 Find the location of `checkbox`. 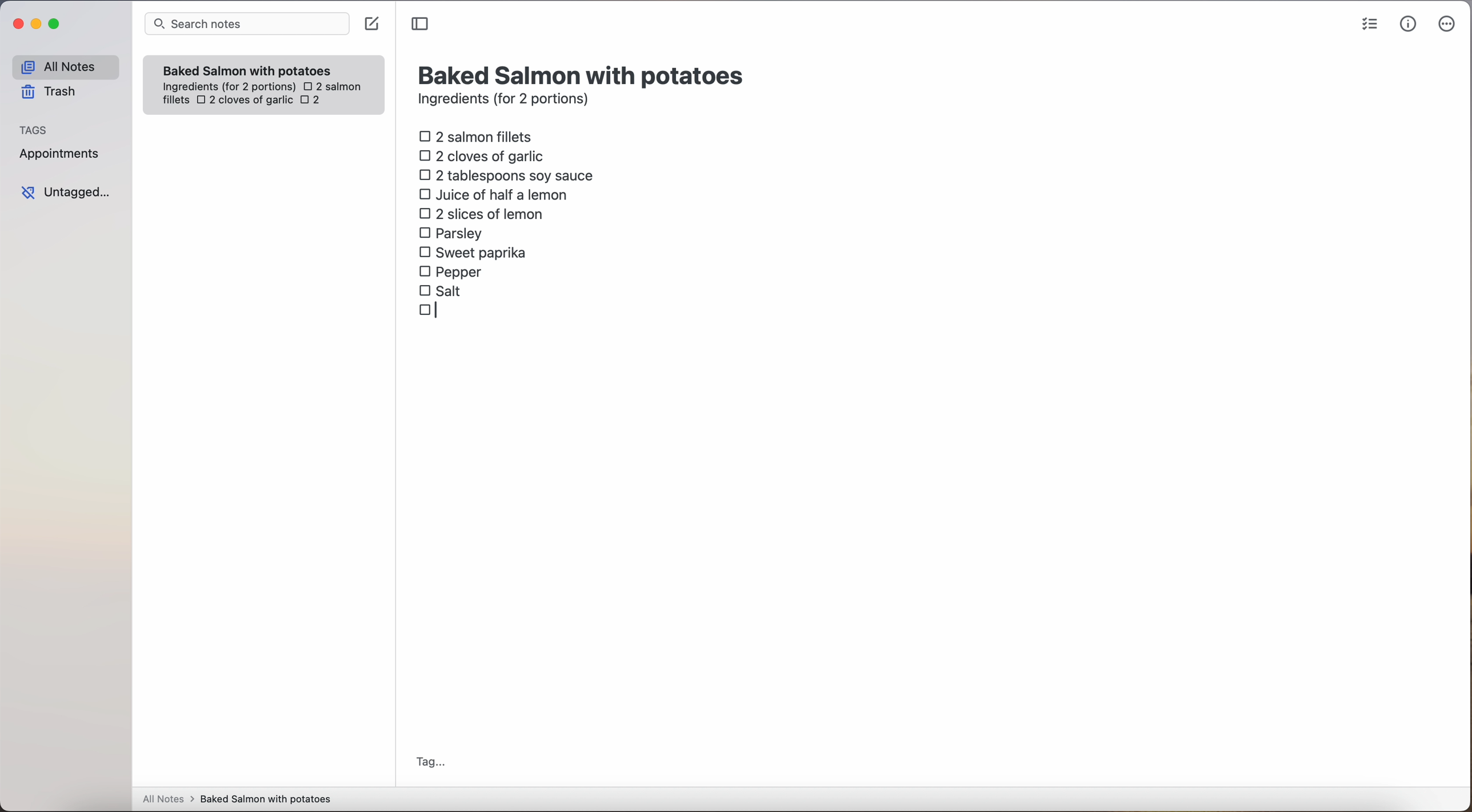

checkbox is located at coordinates (430, 310).